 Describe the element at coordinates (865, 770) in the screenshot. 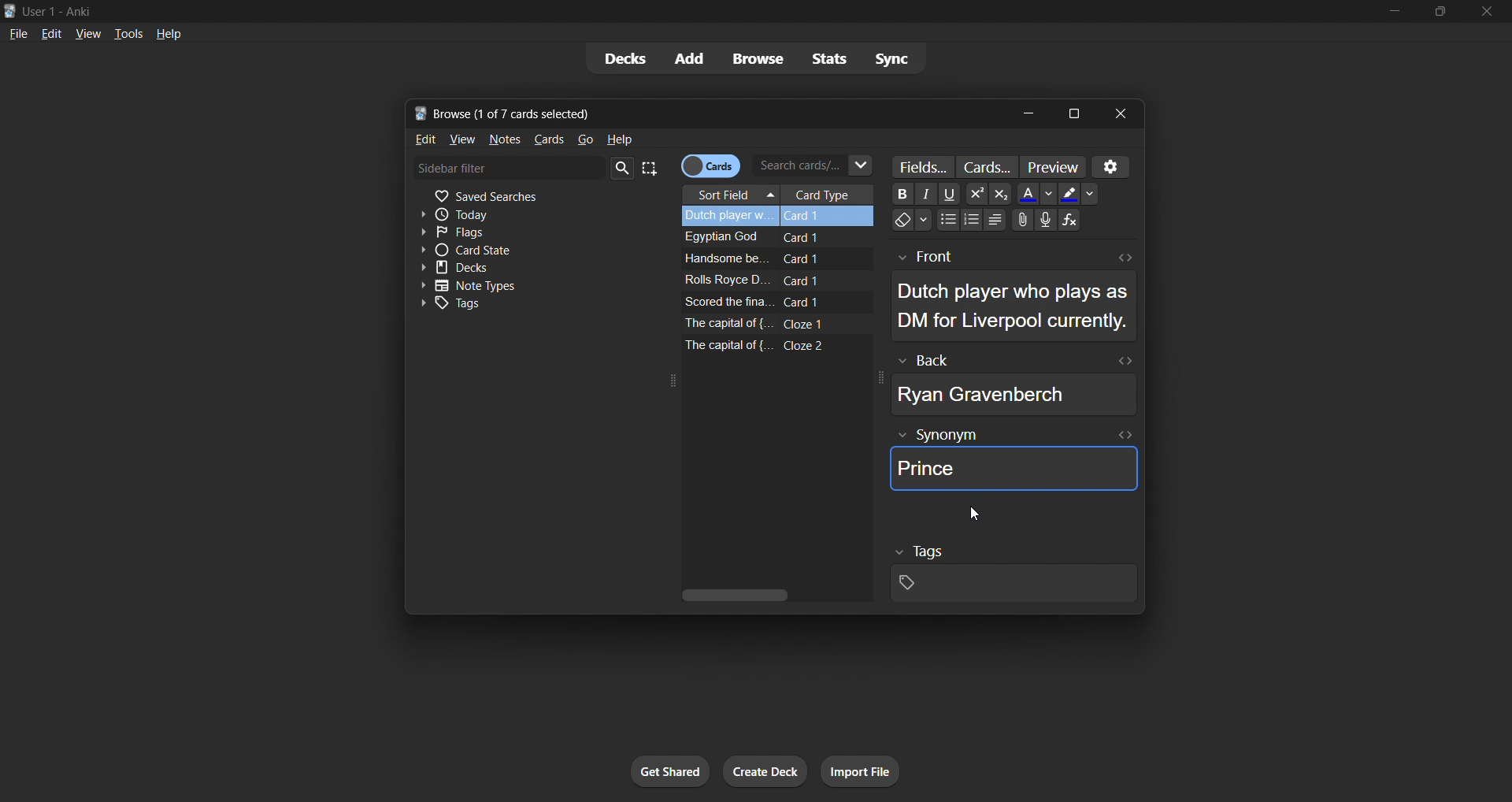

I see `import file` at that location.